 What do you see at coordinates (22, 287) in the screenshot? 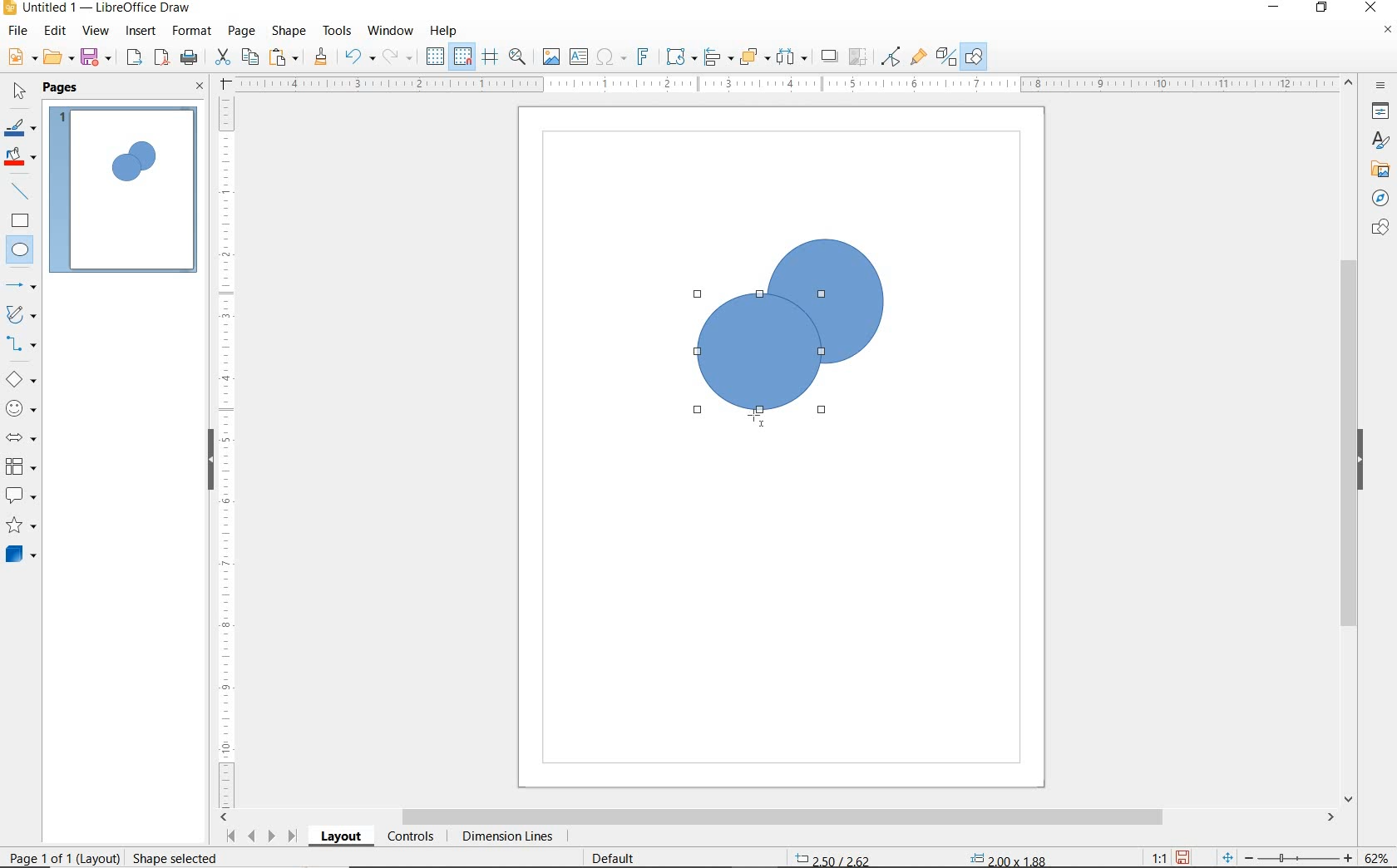
I see `LINES AND ARROWS` at bounding box center [22, 287].